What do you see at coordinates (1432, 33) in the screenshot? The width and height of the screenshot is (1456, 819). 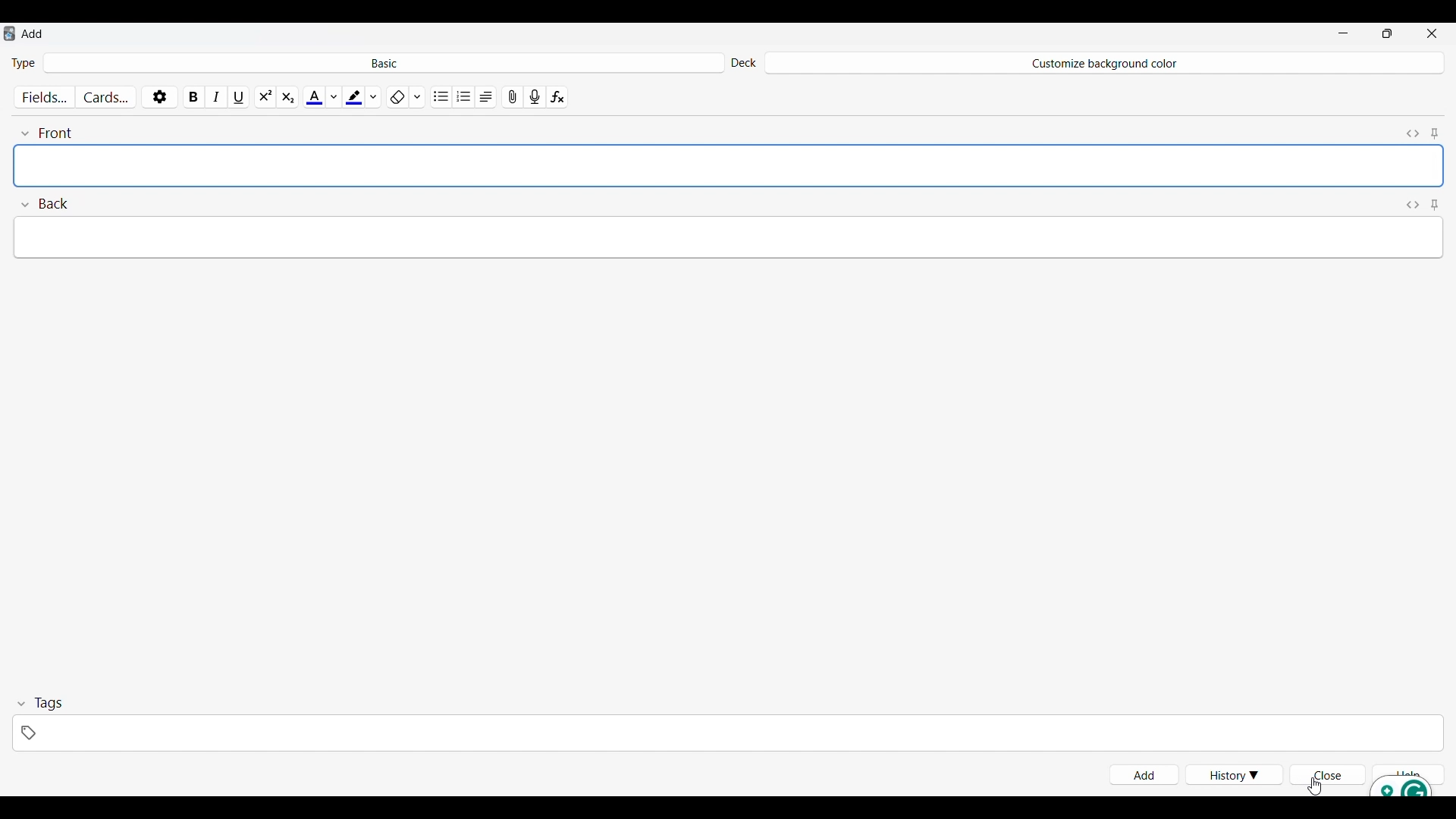 I see `Close interface` at bounding box center [1432, 33].